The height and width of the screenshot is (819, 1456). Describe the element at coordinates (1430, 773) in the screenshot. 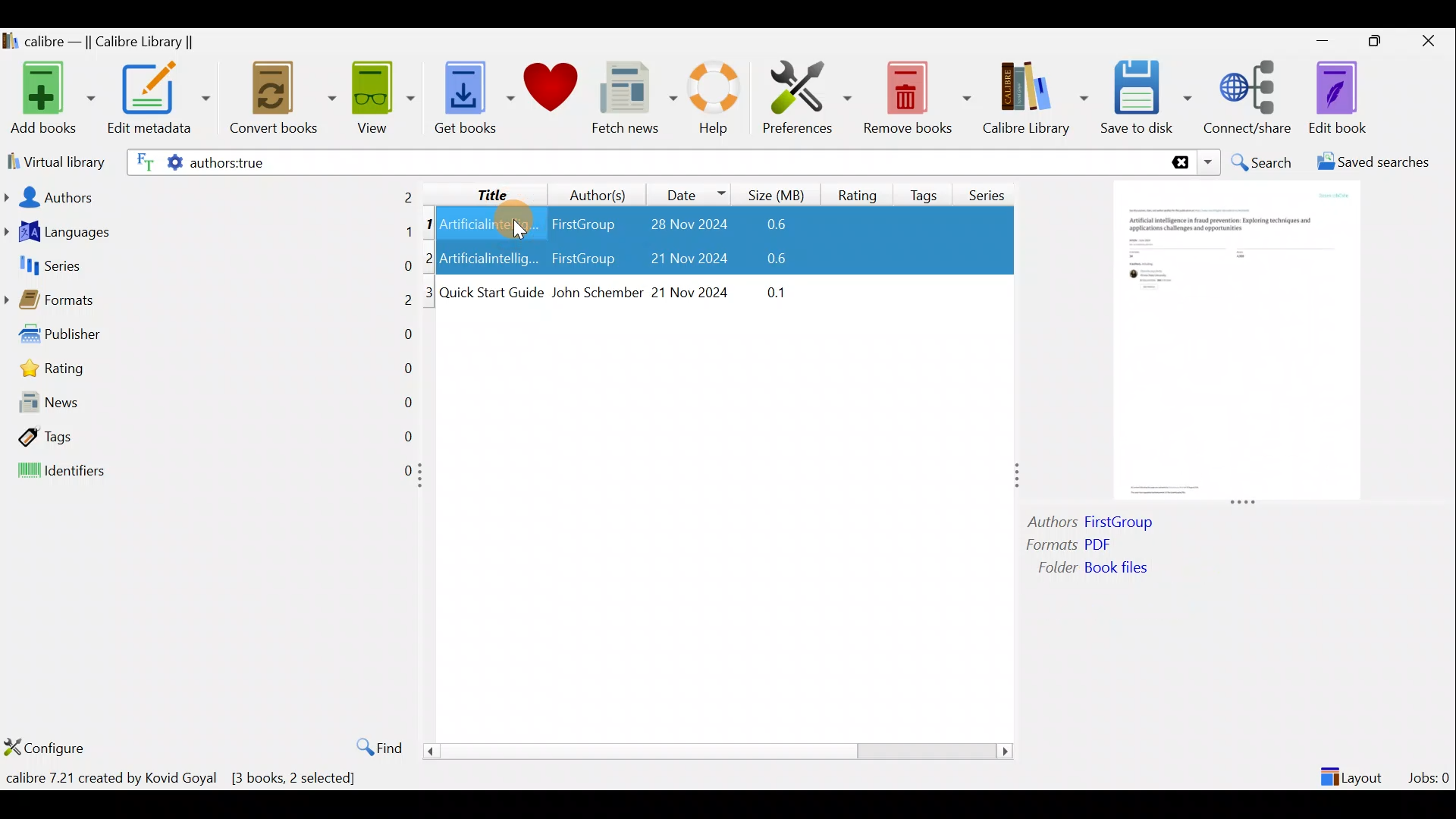

I see `Jobs: 0` at that location.